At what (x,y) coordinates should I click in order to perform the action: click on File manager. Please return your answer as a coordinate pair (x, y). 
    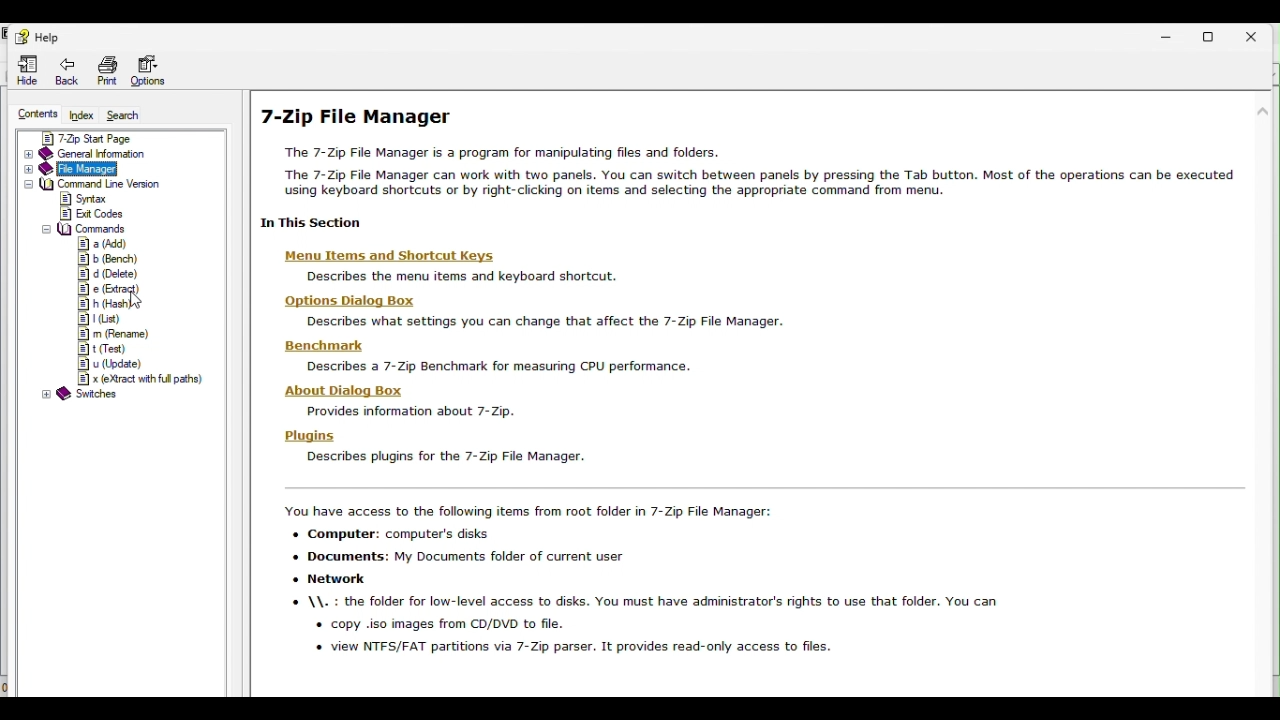
    Looking at the image, I should click on (106, 169).